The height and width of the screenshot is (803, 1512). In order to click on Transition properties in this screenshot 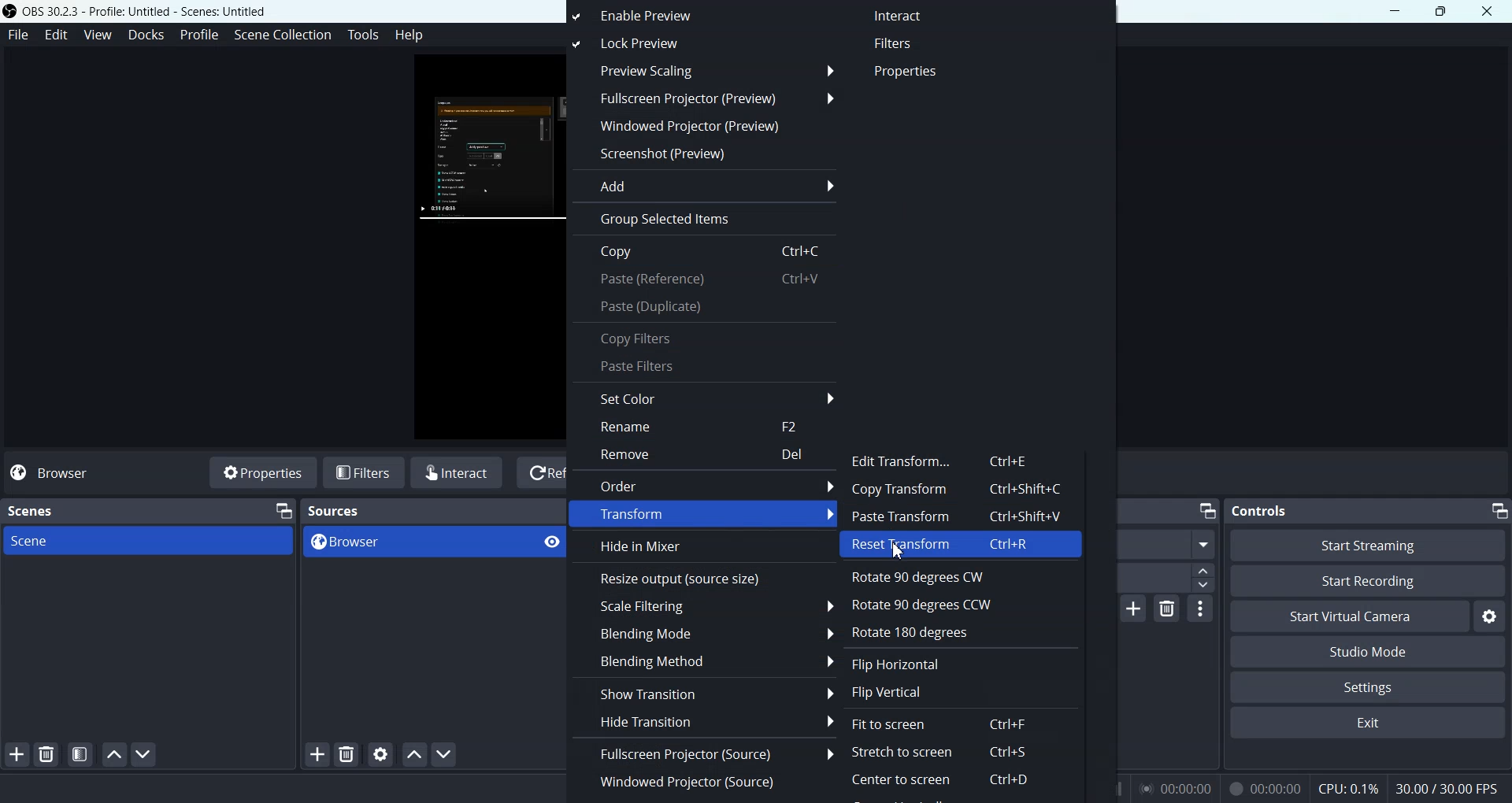, I will do `click(1201, 611)`.